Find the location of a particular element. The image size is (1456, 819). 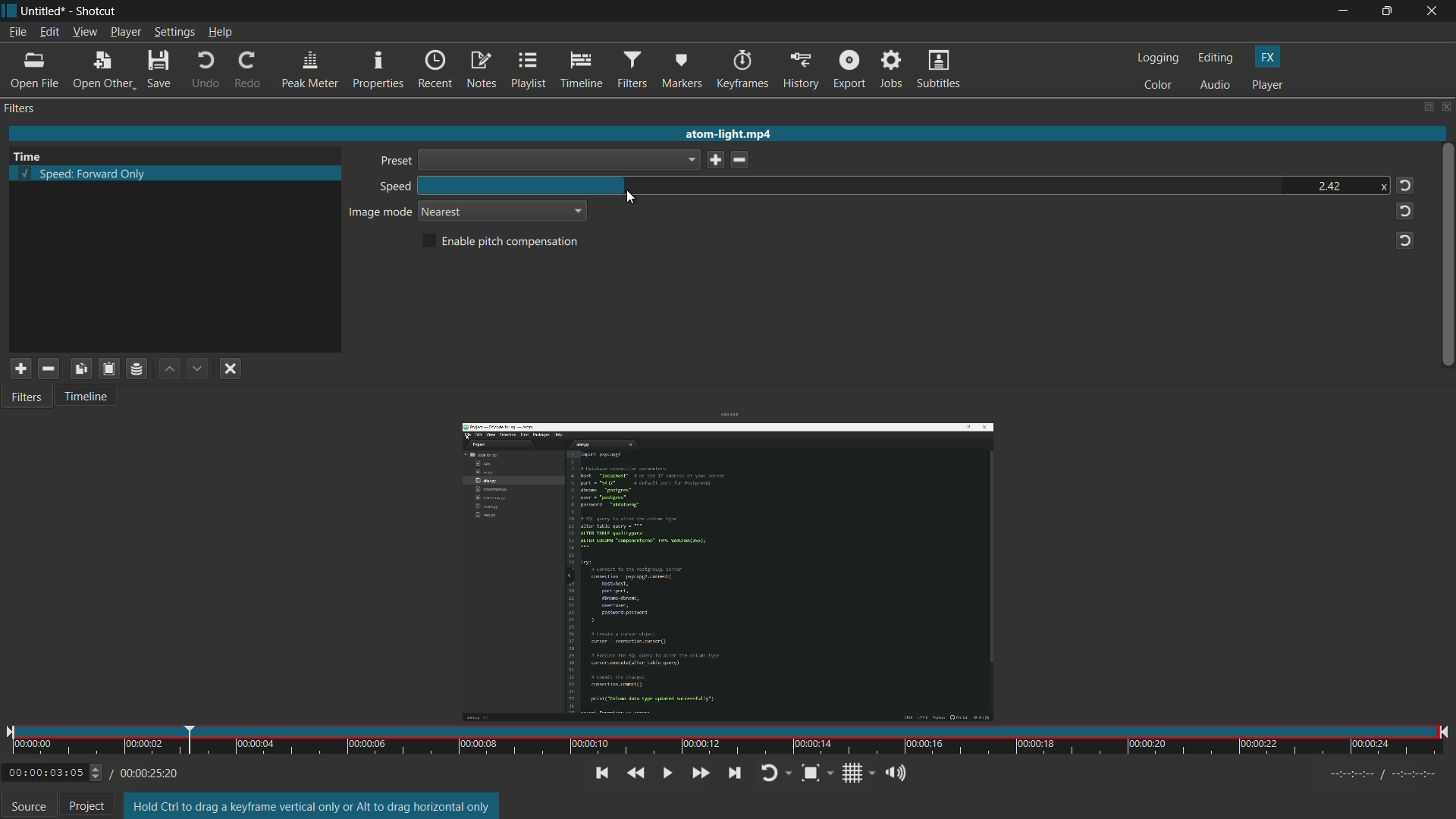

Time is located at coordinates (35, 154).